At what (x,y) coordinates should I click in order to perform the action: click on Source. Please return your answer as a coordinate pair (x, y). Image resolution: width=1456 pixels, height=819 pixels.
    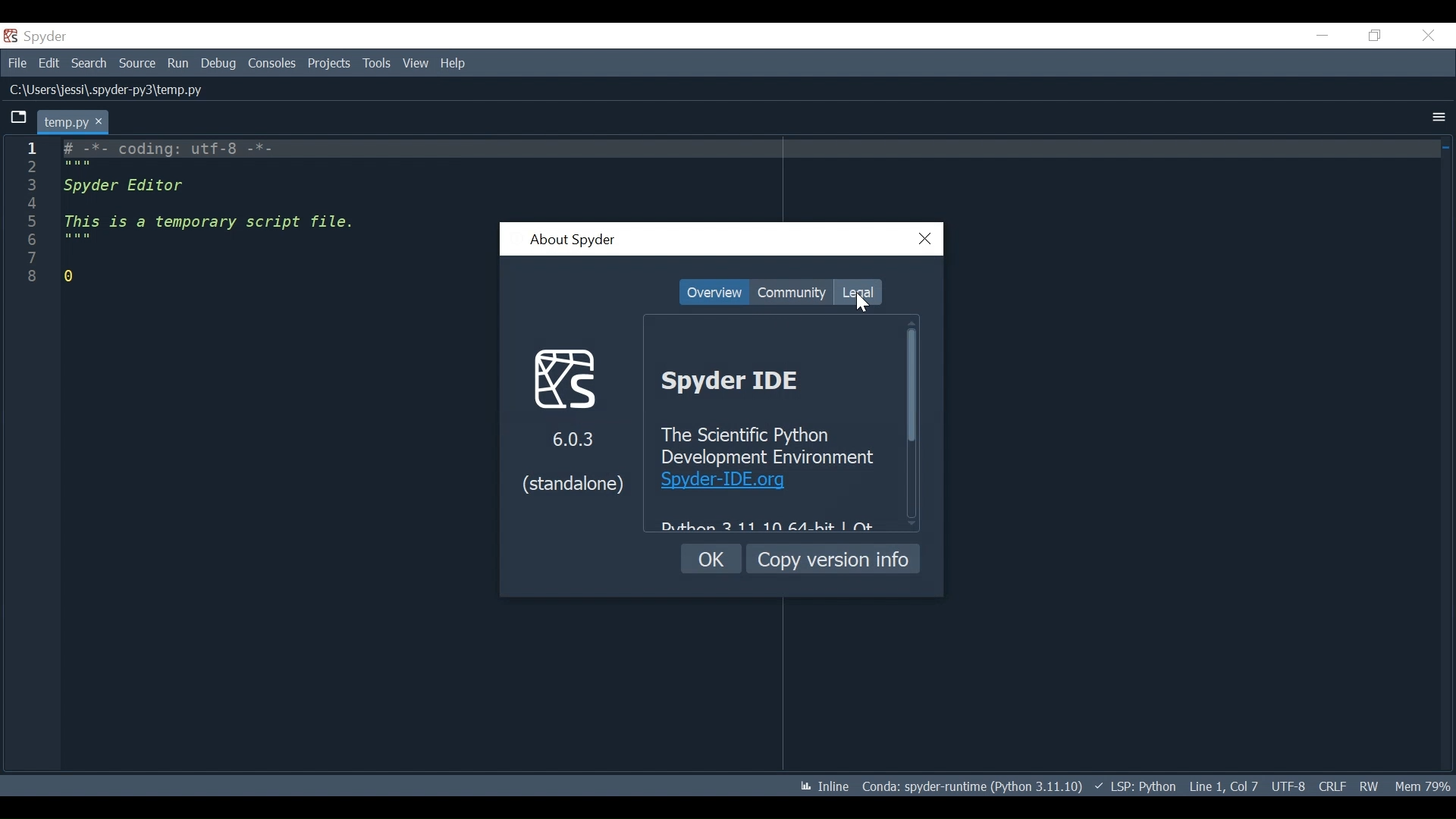
    Looking at the image, I should click on (137, 64).